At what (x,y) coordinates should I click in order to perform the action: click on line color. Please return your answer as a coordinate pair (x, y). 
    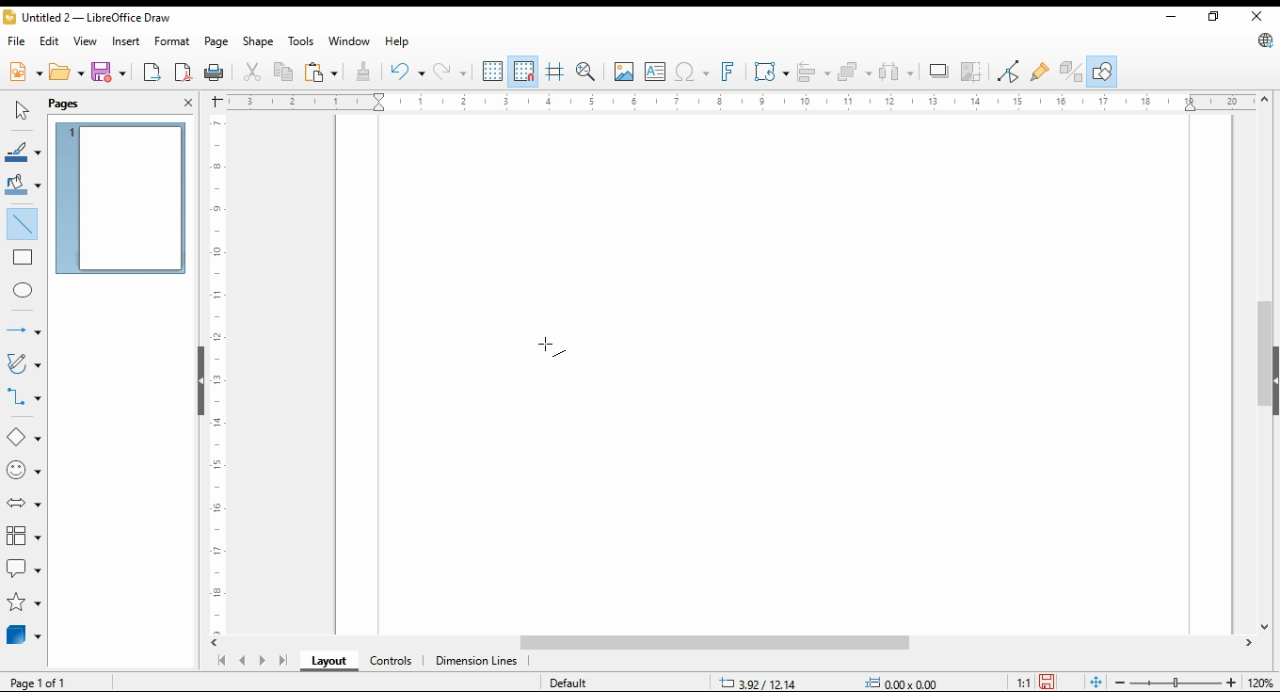
    Looking at the image, I should click on (23, 150).